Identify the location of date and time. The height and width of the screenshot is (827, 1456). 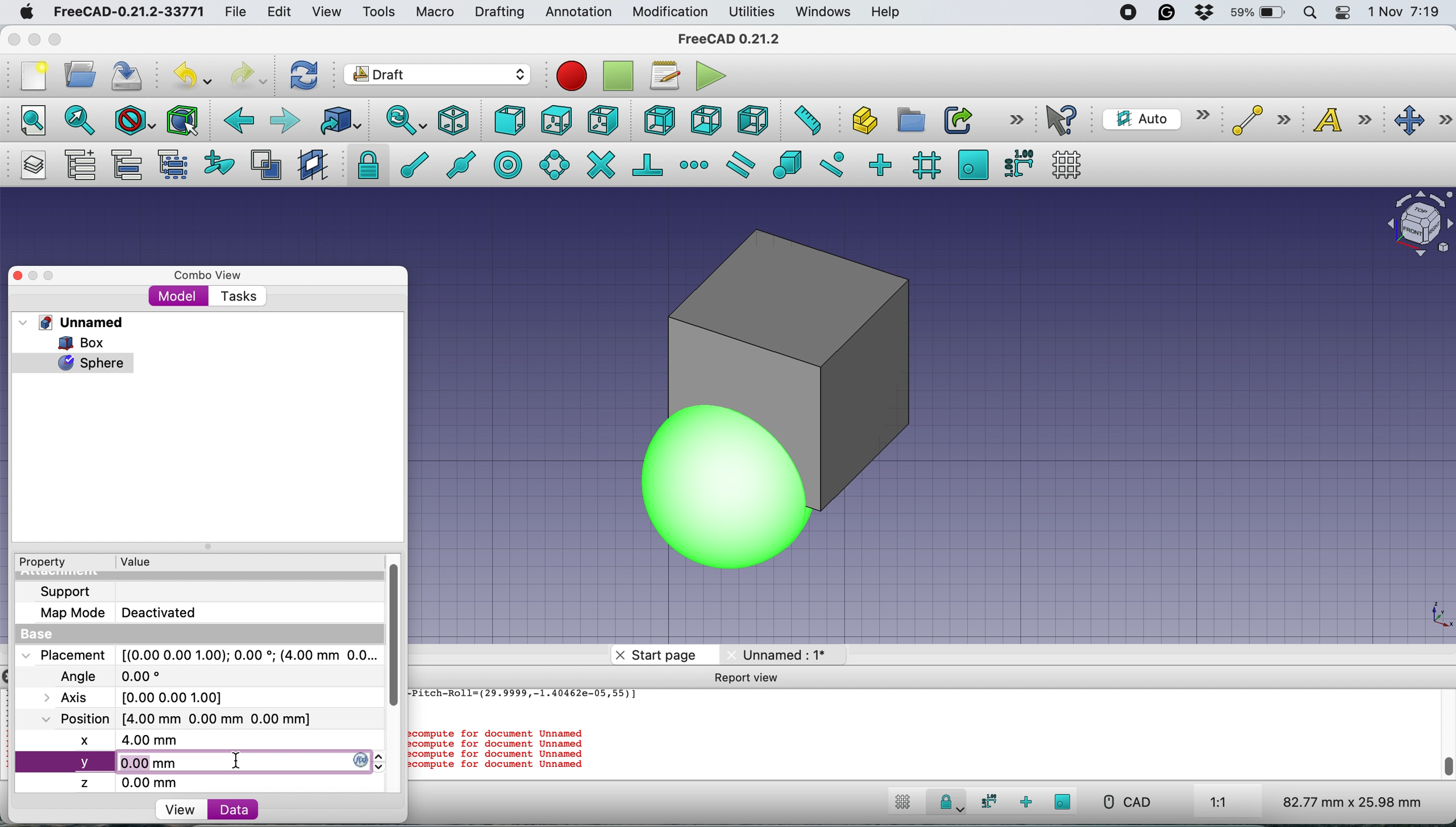
(1405, 12).